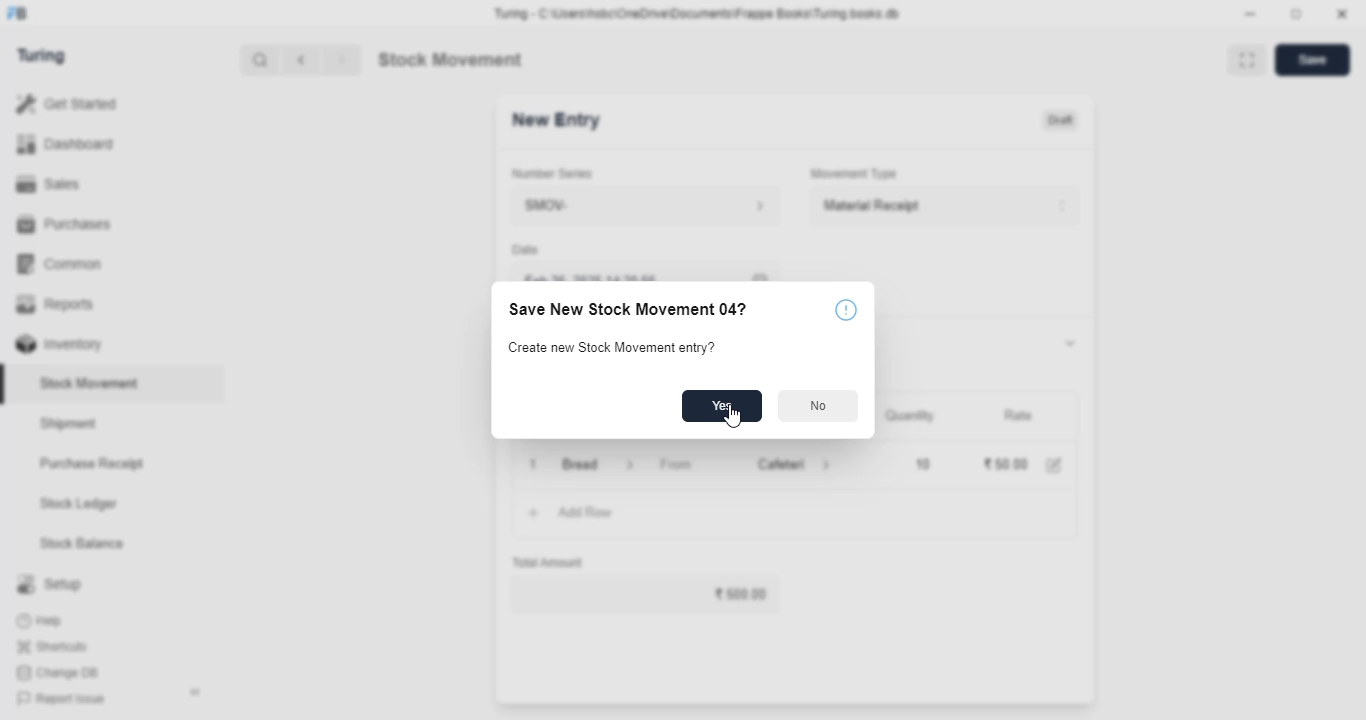 Image resolution: width=1366 pixels, height=720 pixels. What do you see at coordinates (820, 406) in the screenshot?
I see `No` at bounding box center [820, 406].